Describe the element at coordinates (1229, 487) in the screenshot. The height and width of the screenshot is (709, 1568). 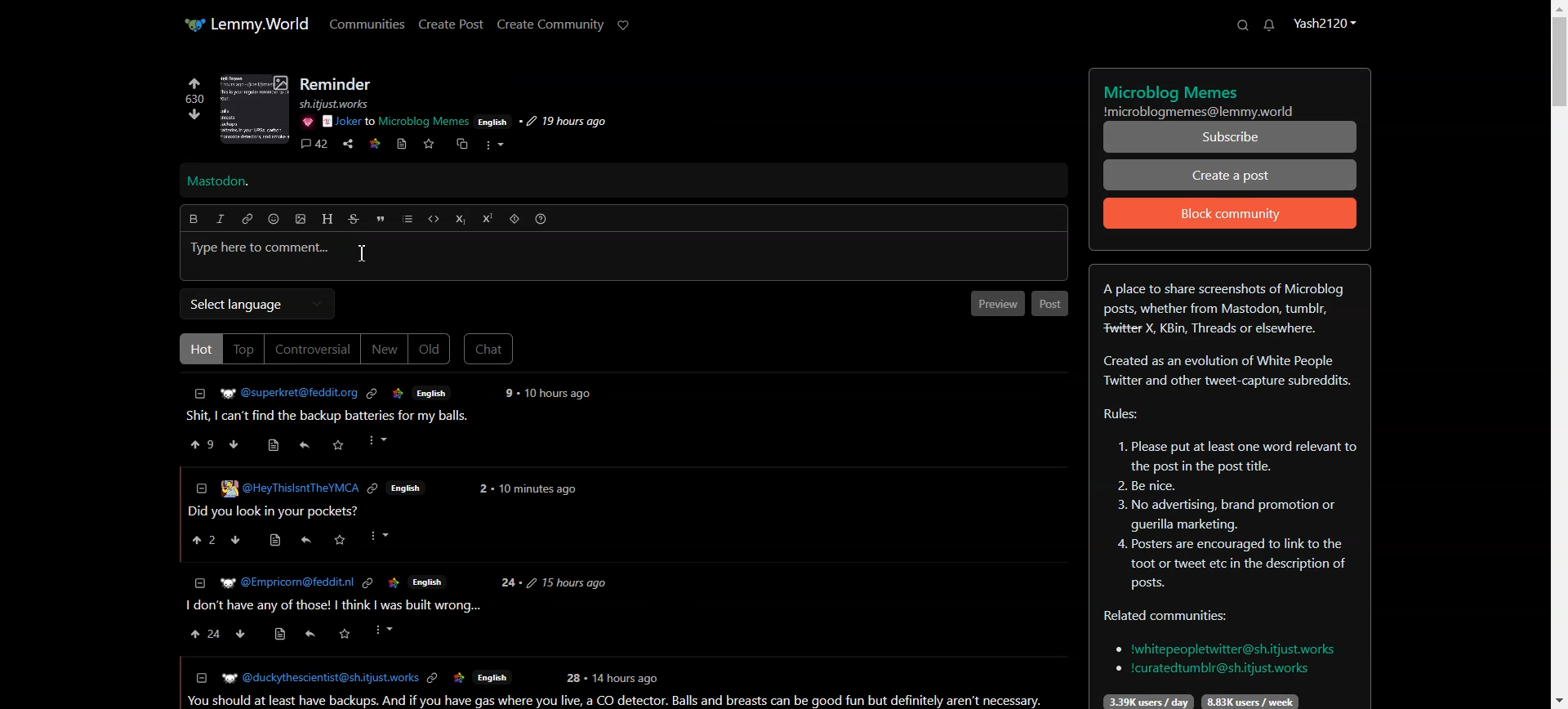
I see `Text` at that location.